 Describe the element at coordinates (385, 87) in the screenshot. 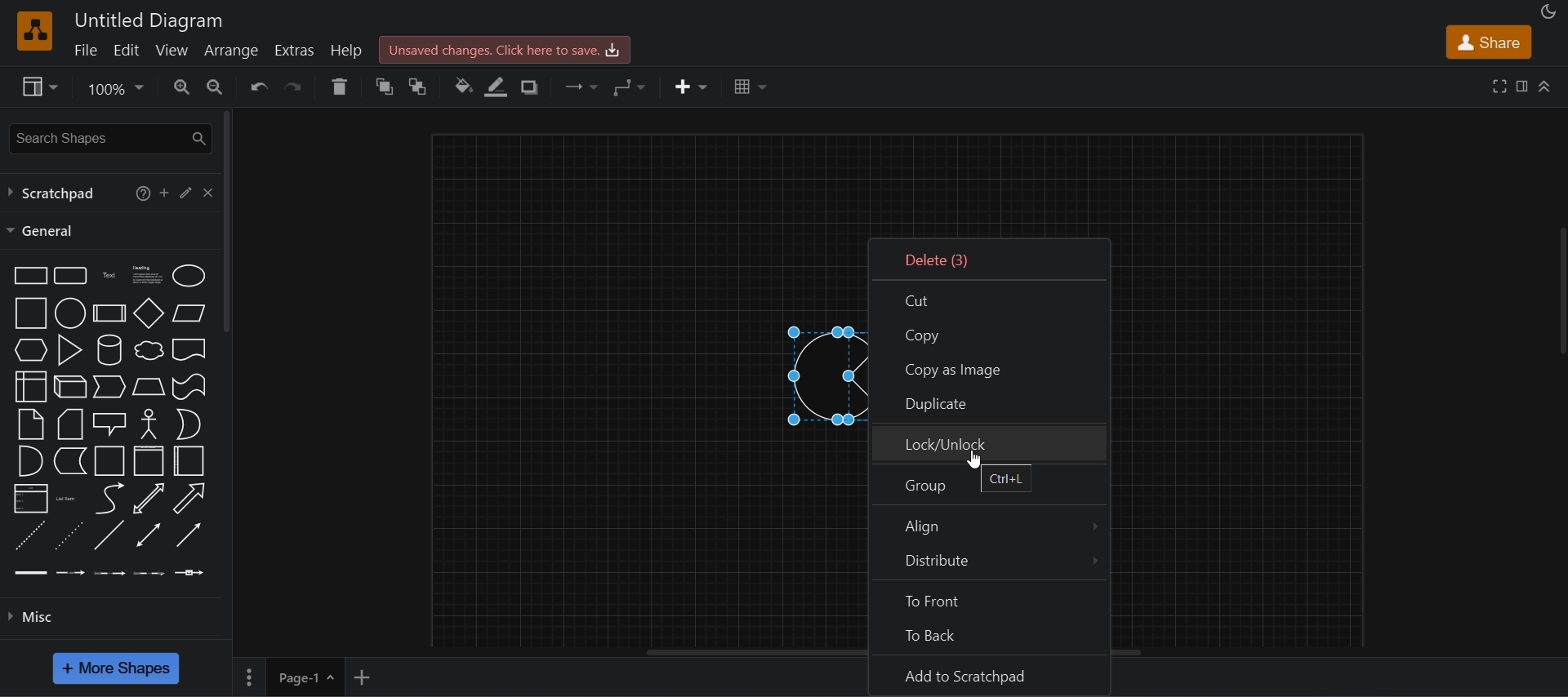

I see `to front` at that location.